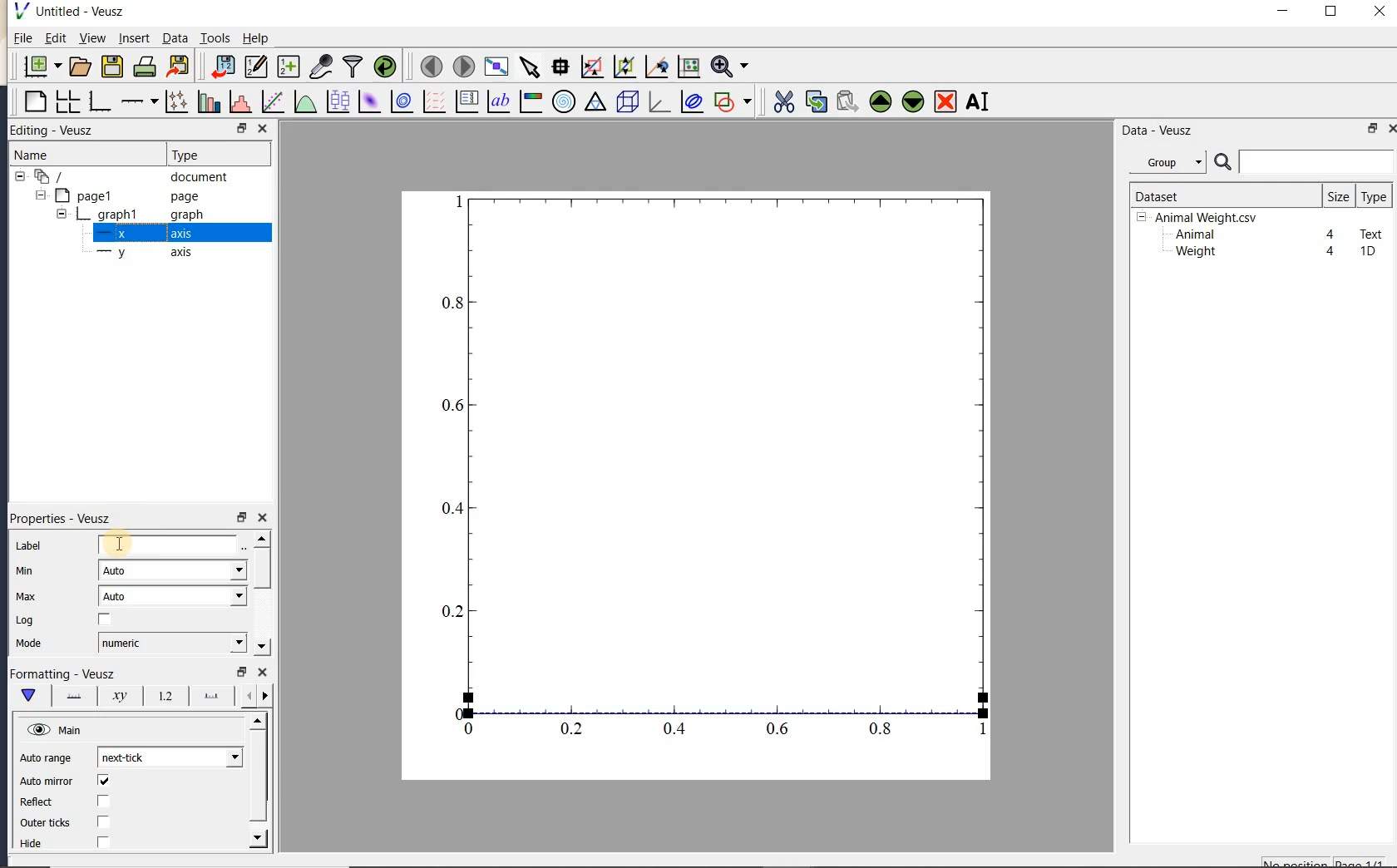 The height and width of the screenshot is (868, 1397). What do you see at coordinates (1373, 196) in the screenshot?
I see `type` at bounding box center [1373, 196].